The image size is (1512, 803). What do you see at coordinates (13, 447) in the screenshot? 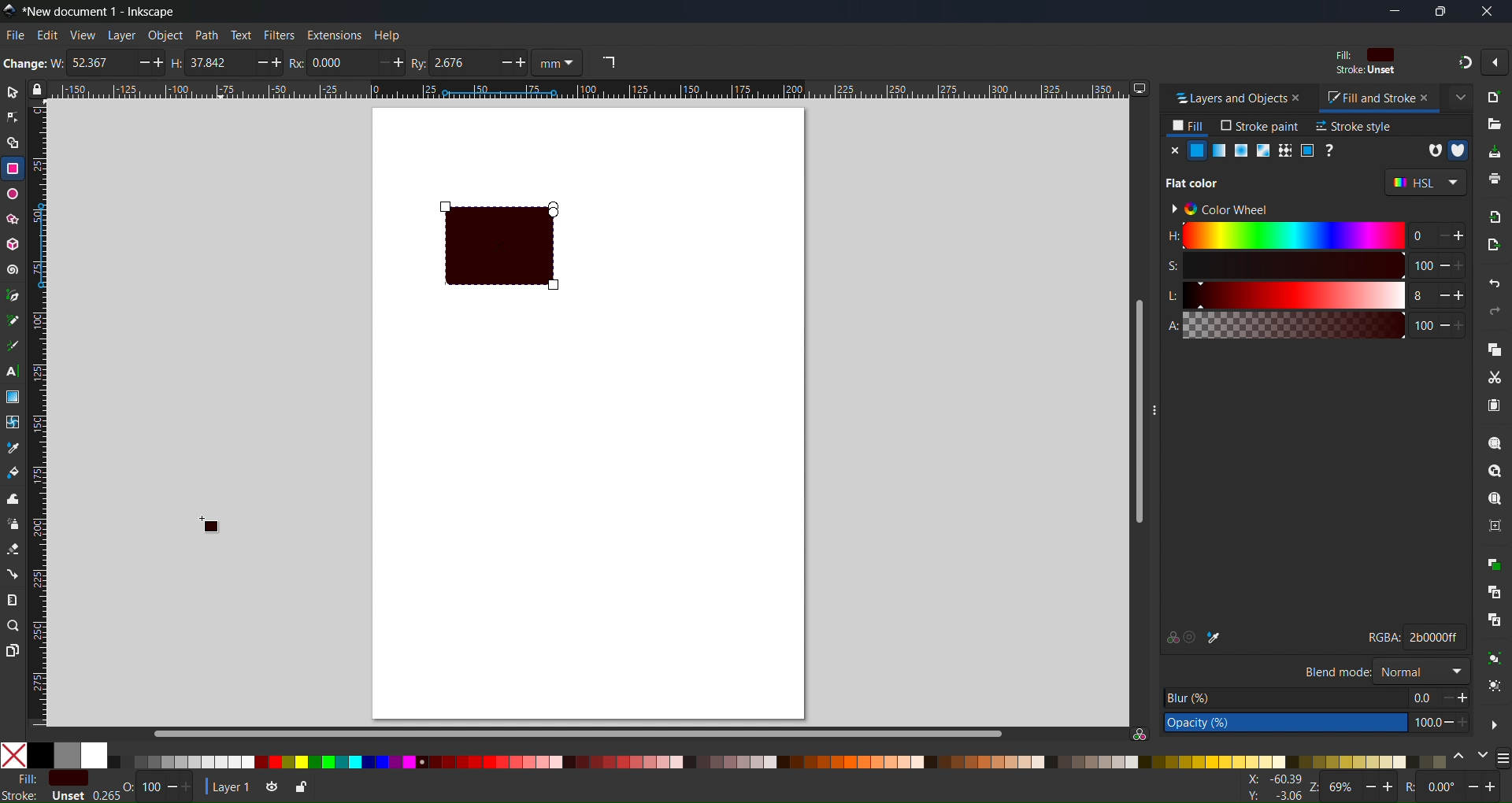
I see `Dropper tool` at bounding box center [13, 447].